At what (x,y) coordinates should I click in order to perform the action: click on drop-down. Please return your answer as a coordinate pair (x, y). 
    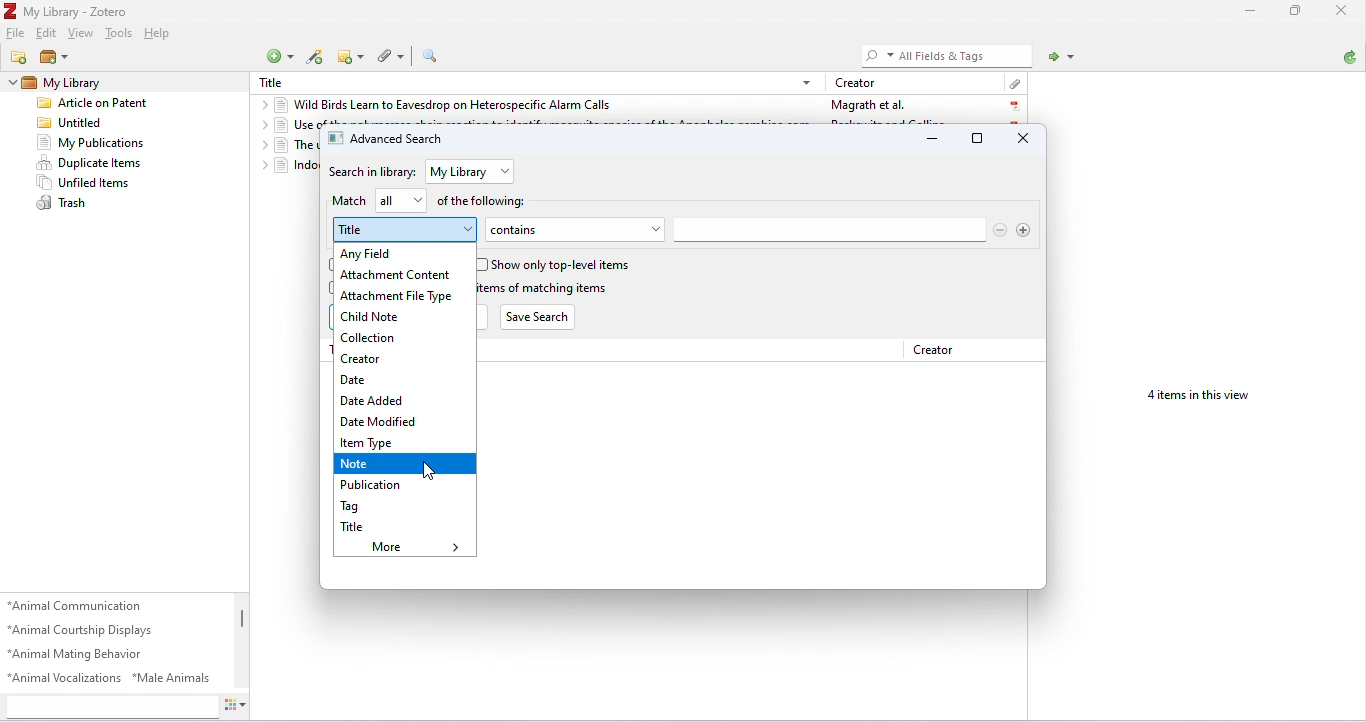
    Looking at the image, I should click on (260, 145).